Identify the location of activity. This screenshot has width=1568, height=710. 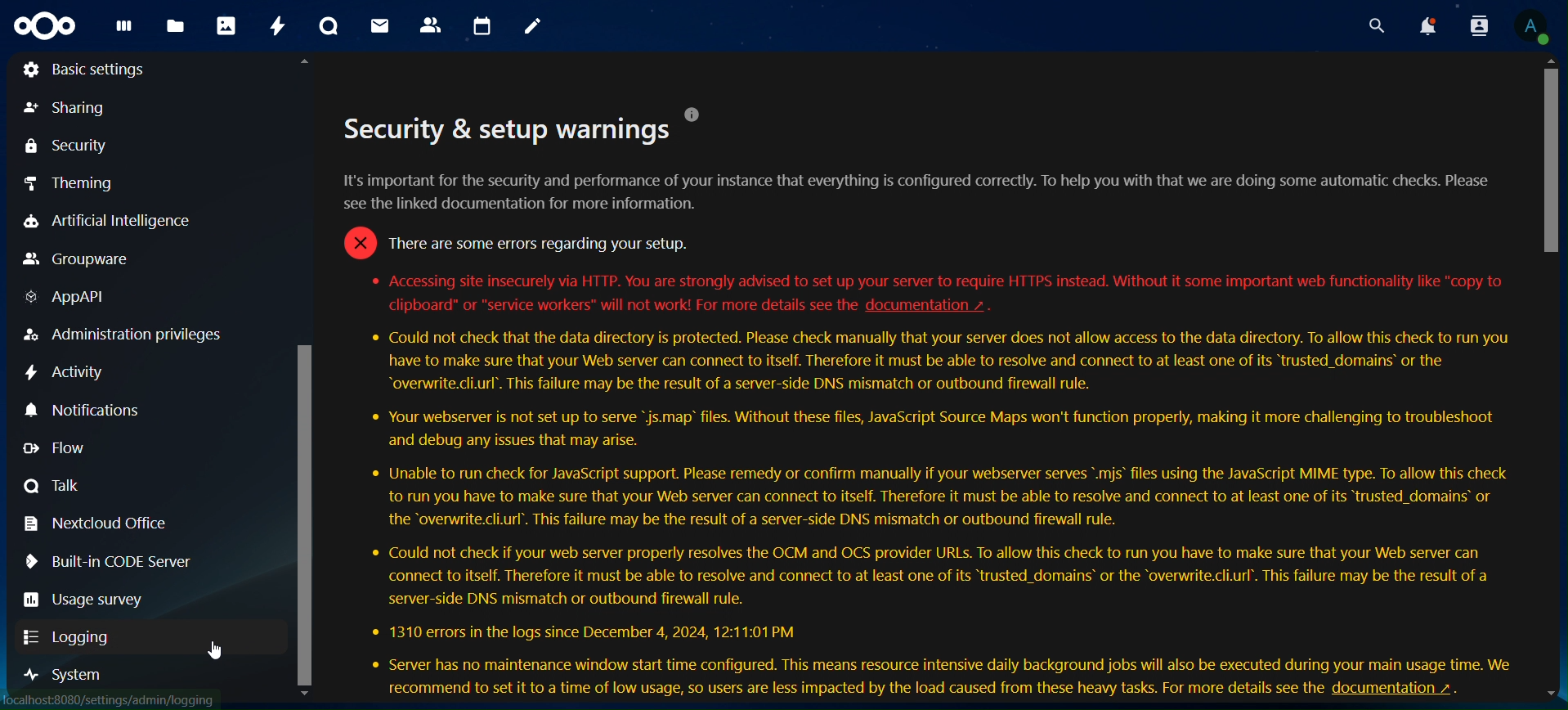
(69, 373).